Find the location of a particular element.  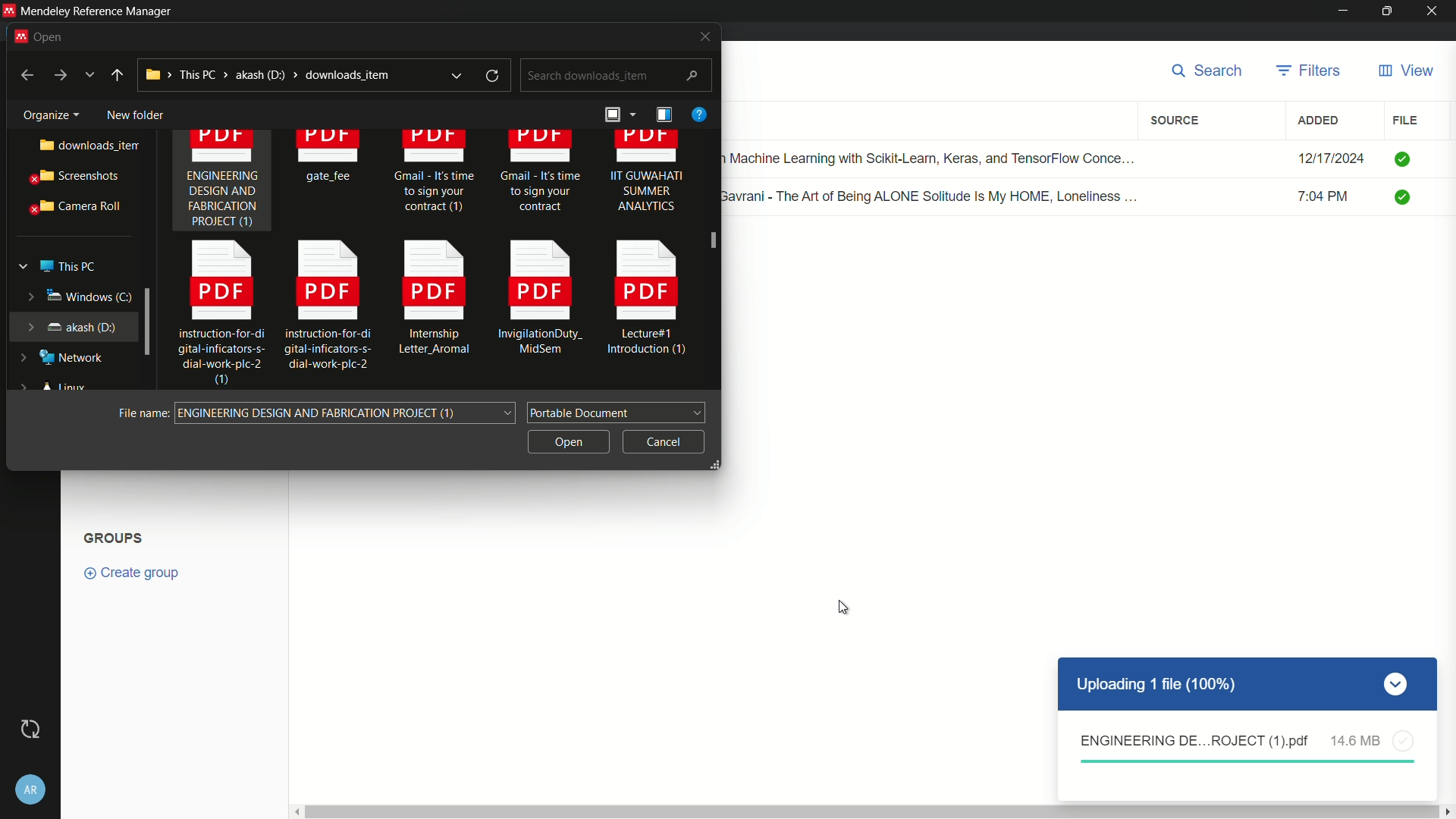

up to is located at coordinates (118, 75).